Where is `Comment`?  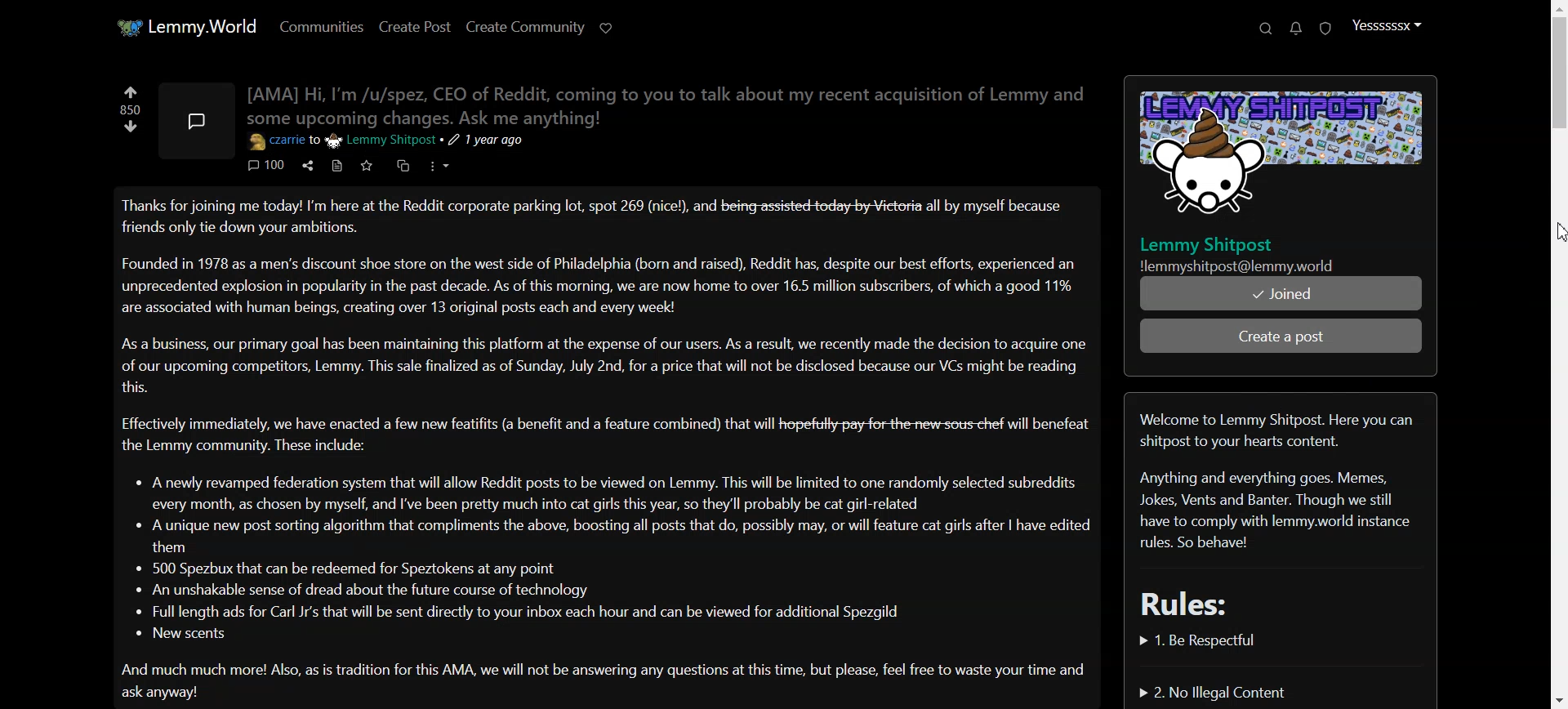 Comment is located at coordinates (267, 166).